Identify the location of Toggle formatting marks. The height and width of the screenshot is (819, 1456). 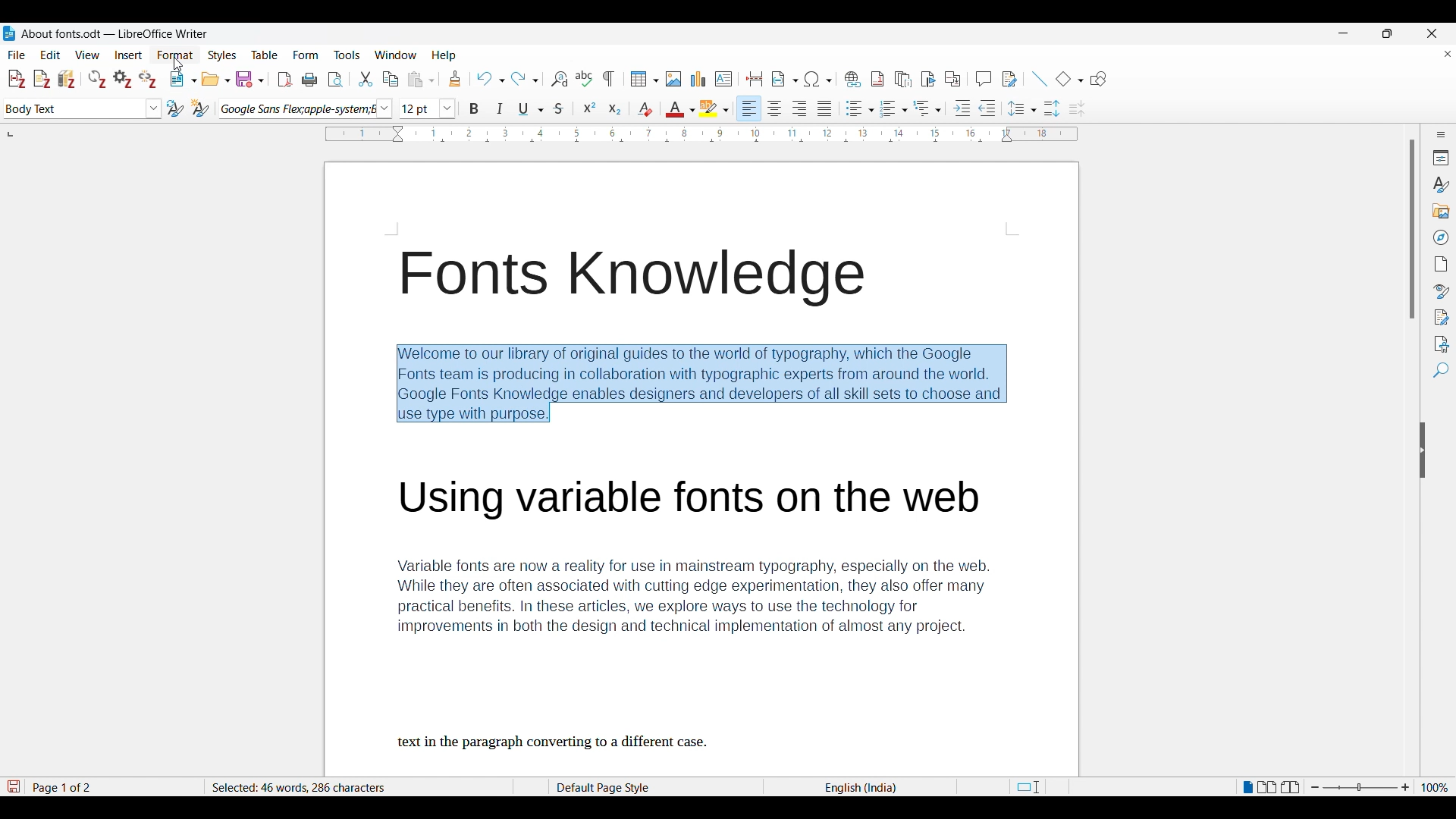
(608, 79).